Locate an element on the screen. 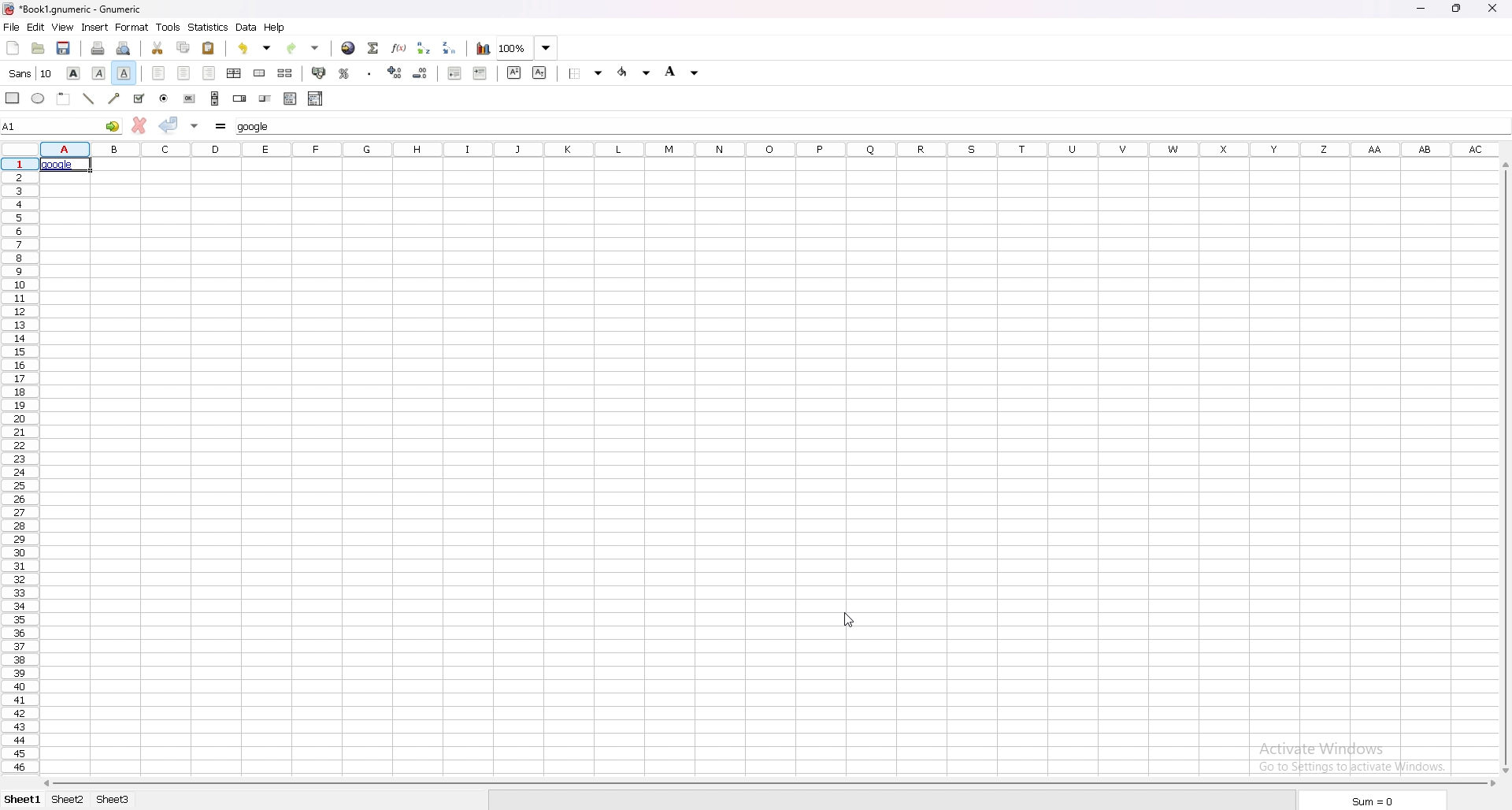 Image resolution: width=1512 pixels, height=810 pixels. decrease decimals is located at coordinates (421, 73).